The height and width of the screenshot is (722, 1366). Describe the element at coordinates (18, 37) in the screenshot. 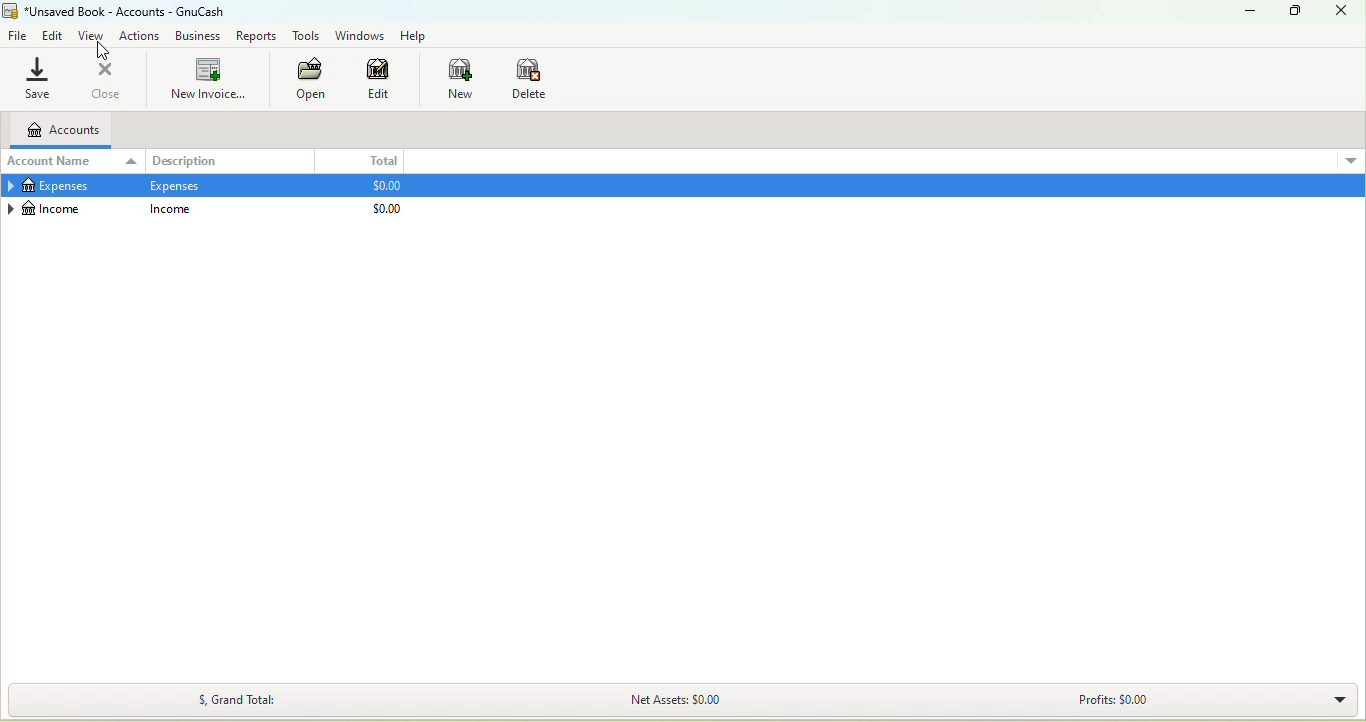

I see `File` at that location.